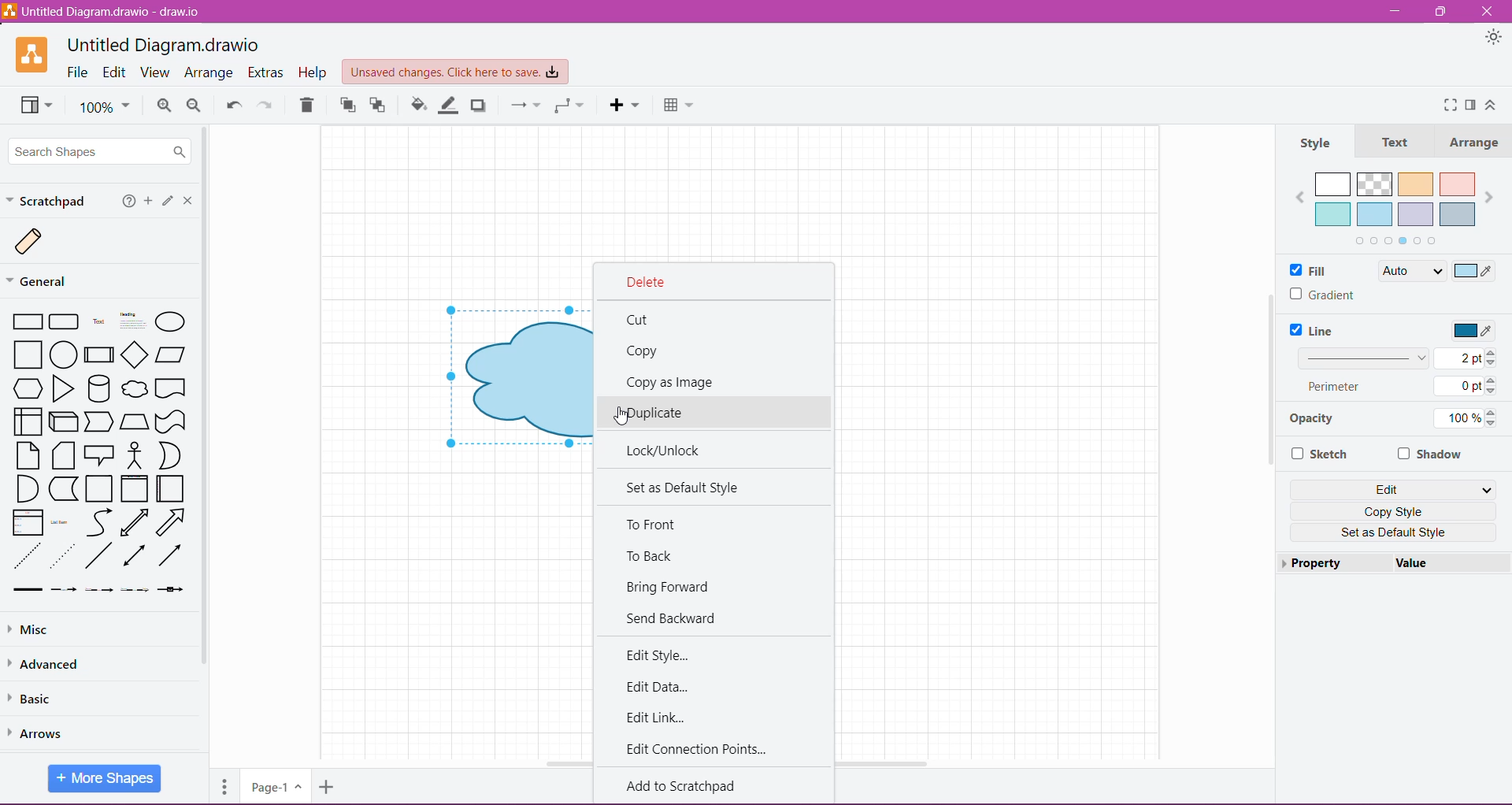 Image resolution: width=1512 pixels, height=805 pixels. I want to click on Available Shapes, so click(104, 454).